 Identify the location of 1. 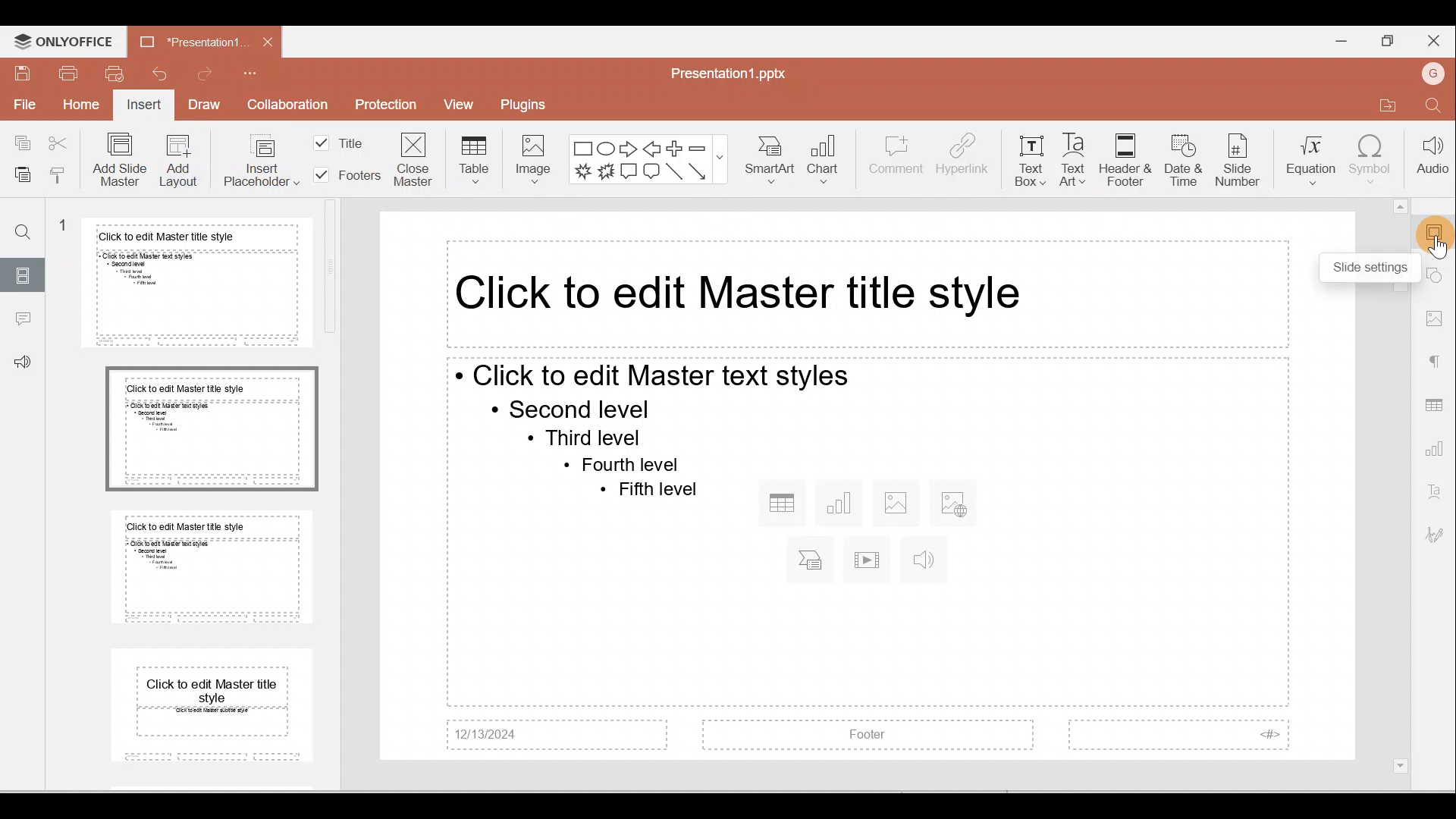
(58, 222).